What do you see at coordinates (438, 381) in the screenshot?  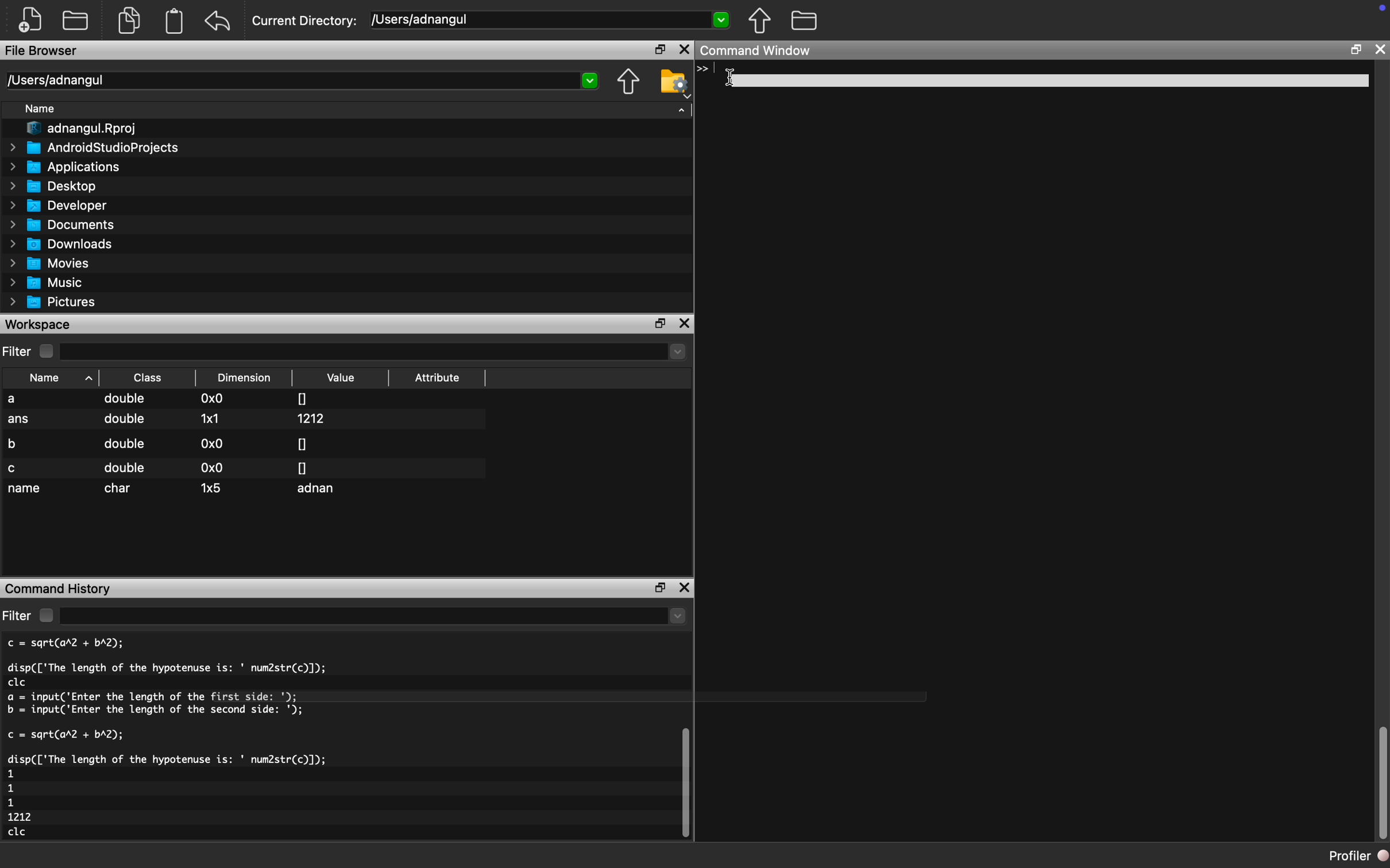 I see `Attribute` at bounding box center [438, 381].